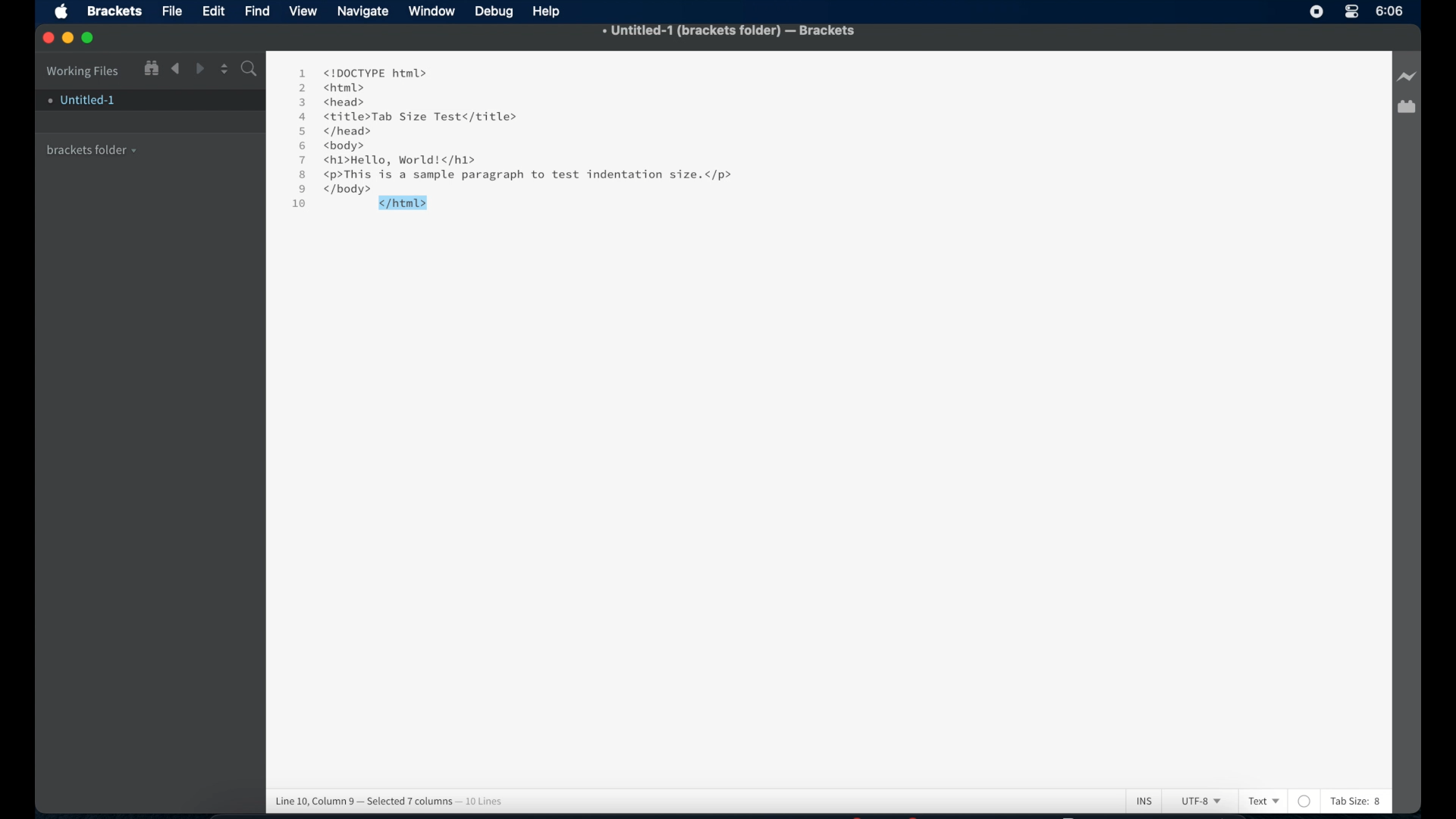  I want to click on . Untitled-1 (brackets folder) - Brackets, so click(730, 32).